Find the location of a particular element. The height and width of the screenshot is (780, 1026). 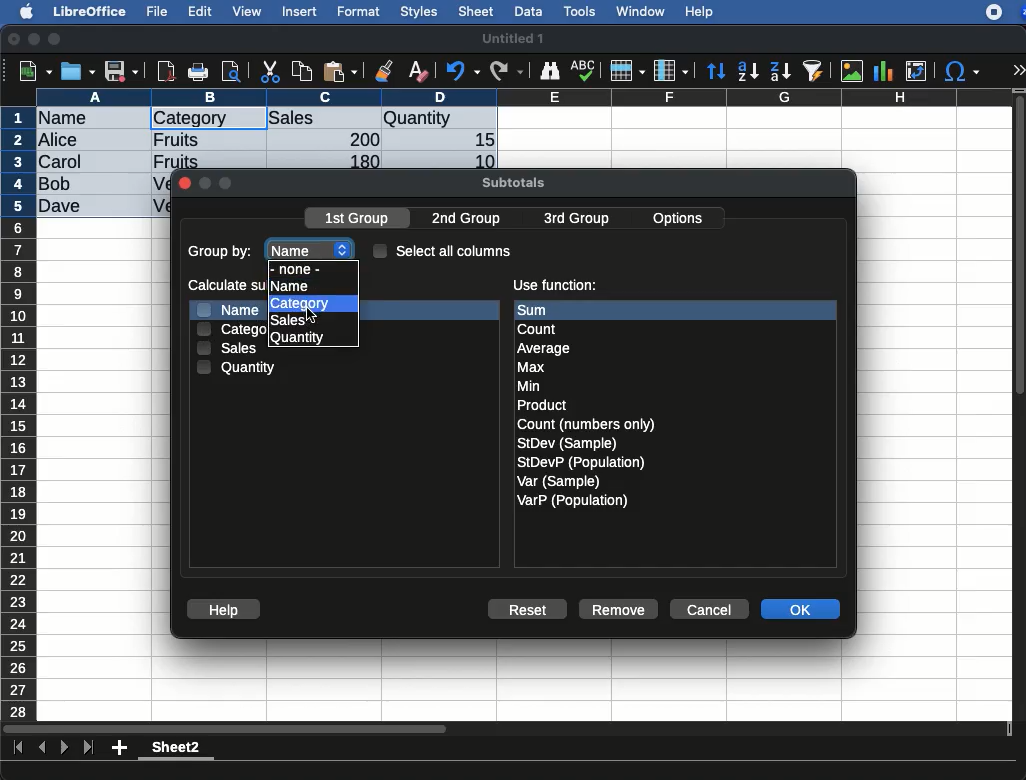

200 is located at coordinates (359, 139).